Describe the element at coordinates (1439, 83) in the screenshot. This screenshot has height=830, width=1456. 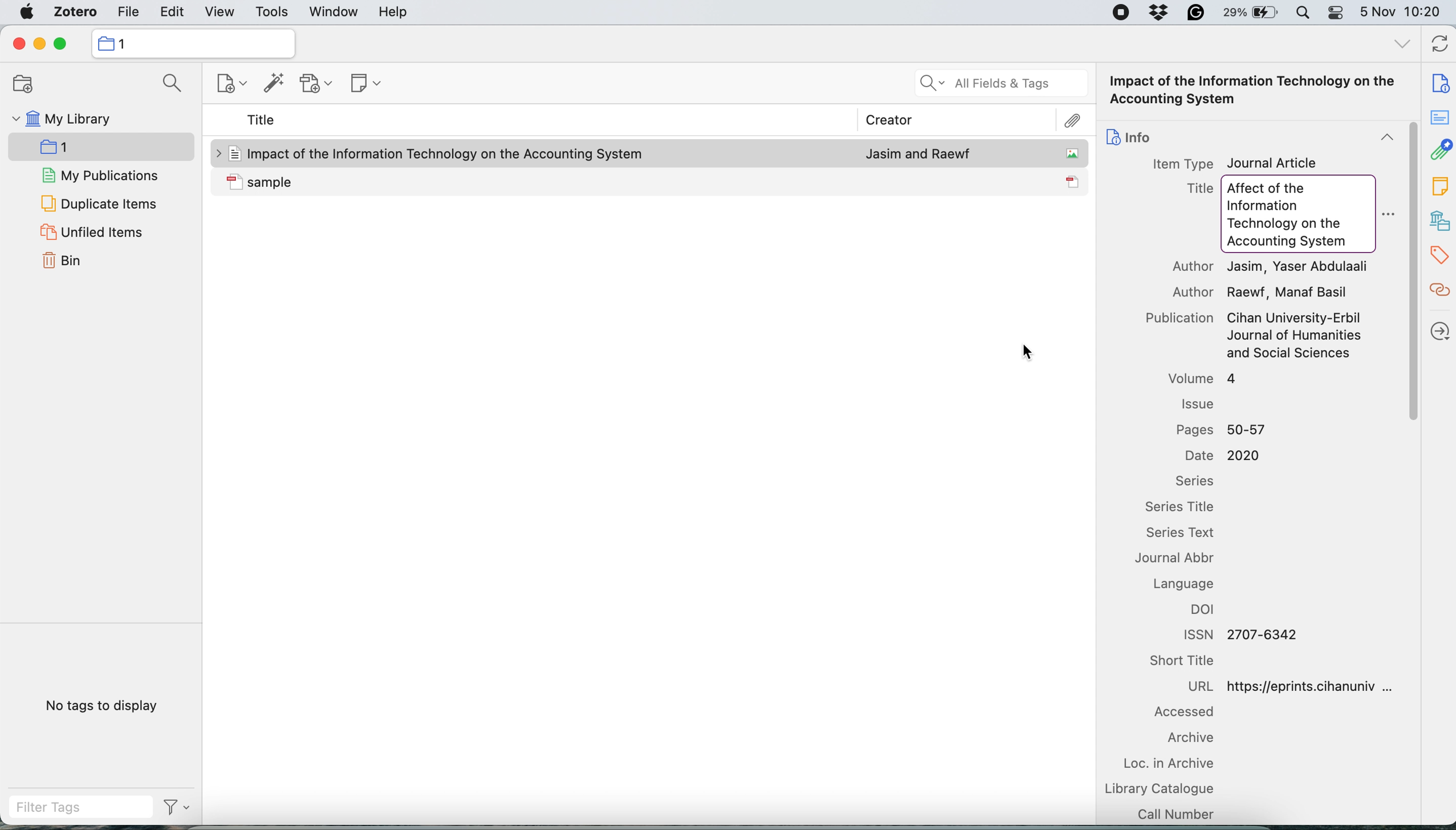
I see `note info` at that location.